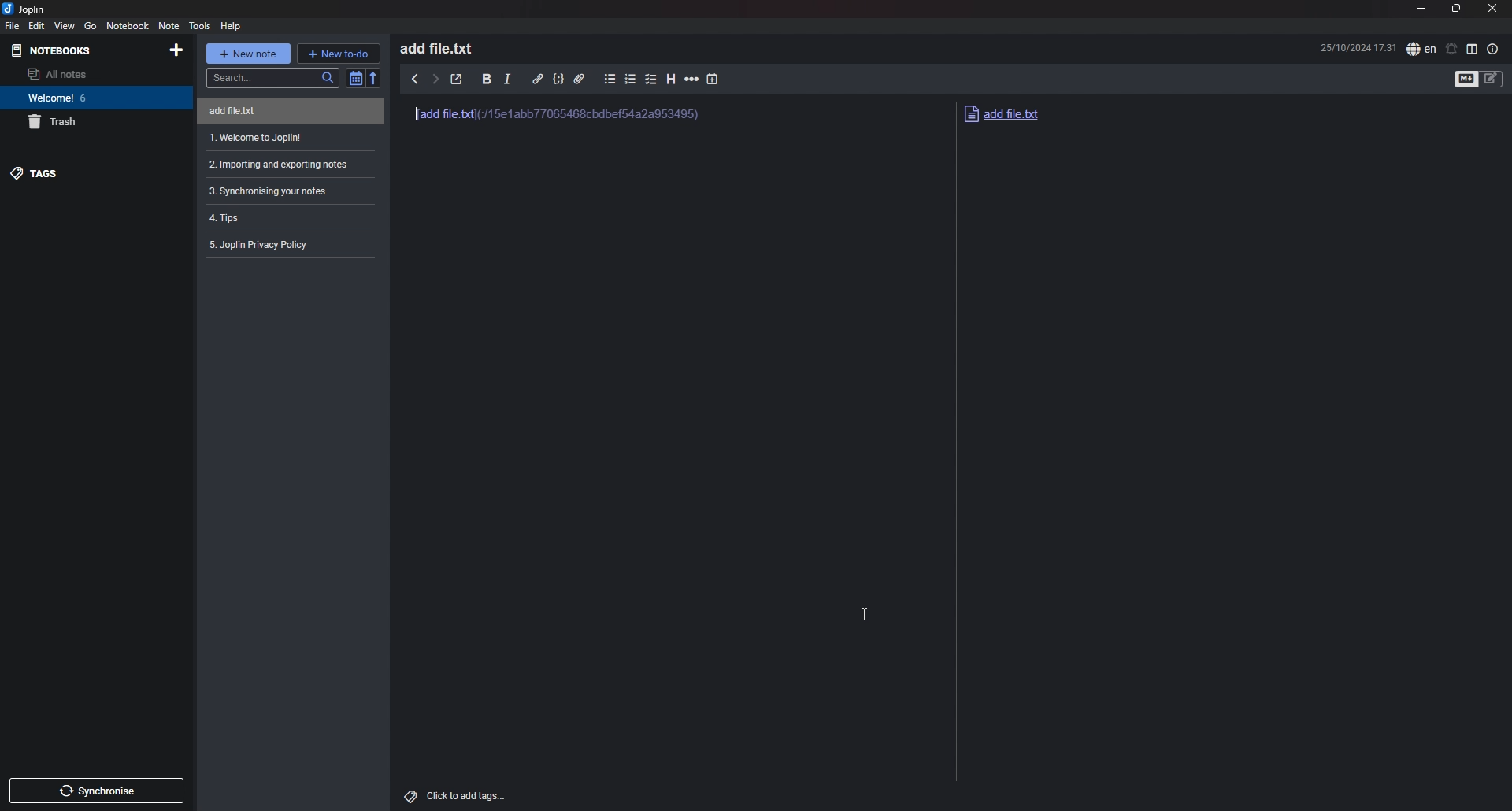 Image resolution: width=1512 pixels, height=811 pixels. What do you see at coordinates (338, 53) in the screenshot?
I see `new todo` at bounding box center [338, 53].